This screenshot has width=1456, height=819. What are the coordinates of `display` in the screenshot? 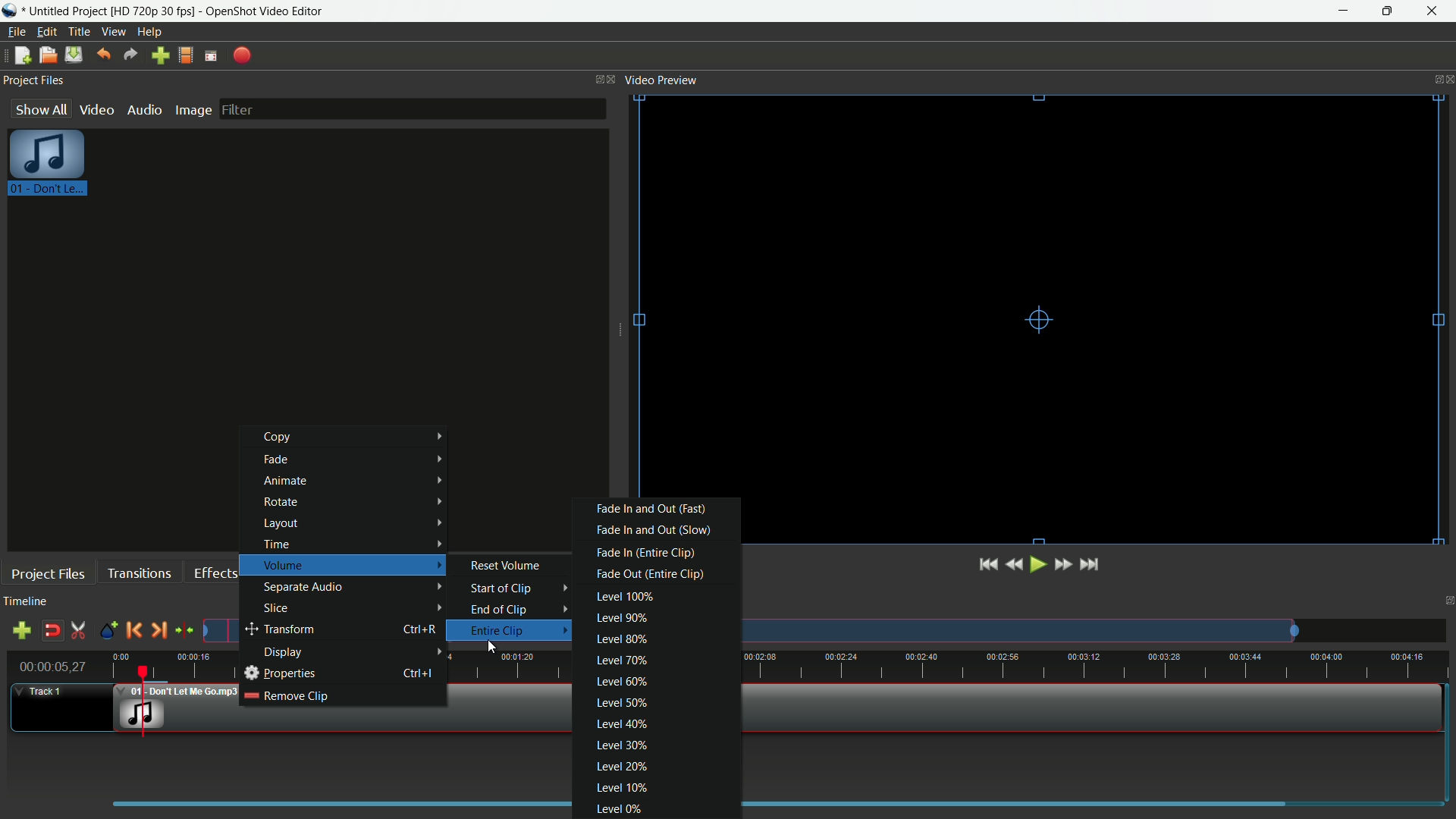 It's located at (355, 653).